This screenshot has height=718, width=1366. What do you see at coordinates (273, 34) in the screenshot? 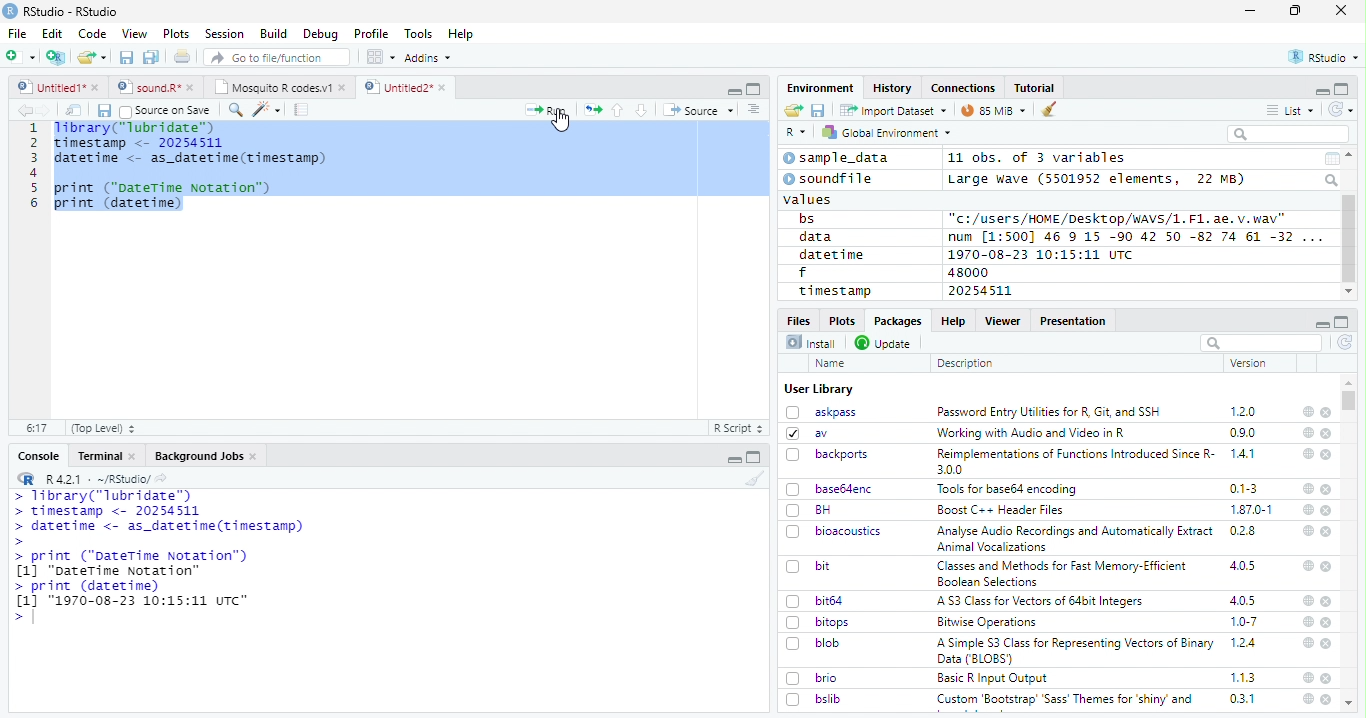
I see `Build` at bounding box center [273, 34].